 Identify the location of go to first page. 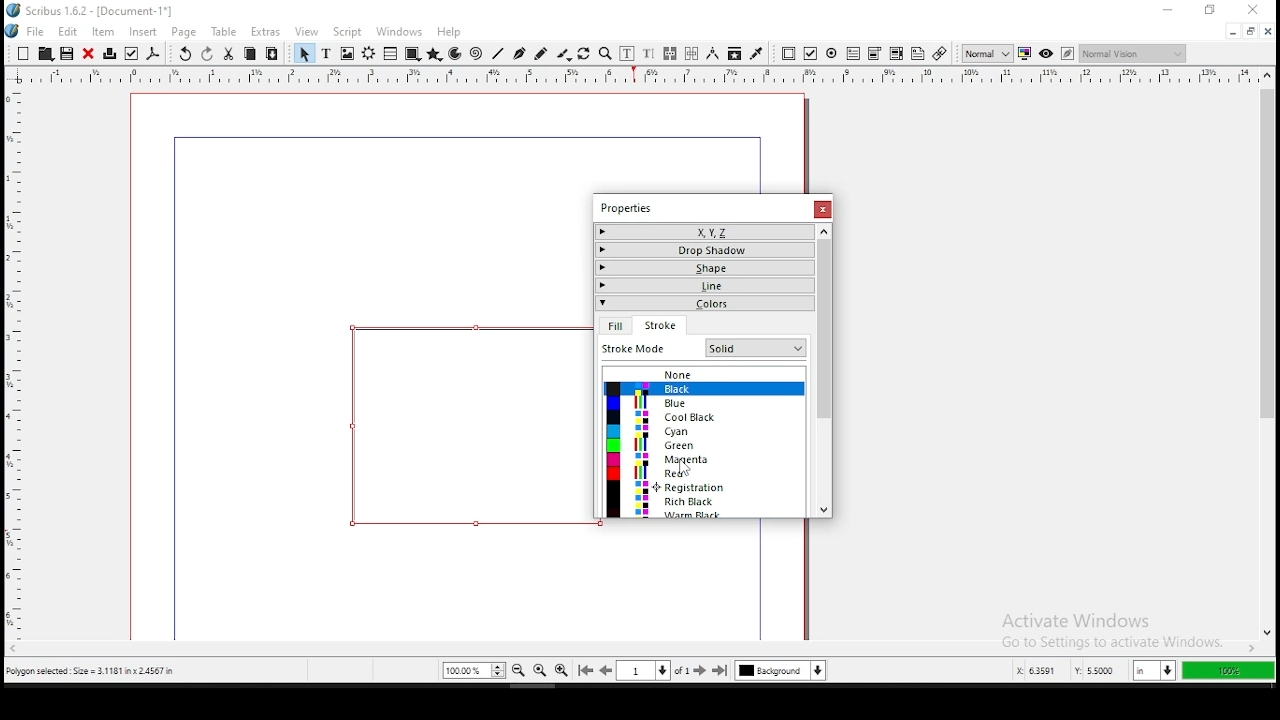
(585, 672).